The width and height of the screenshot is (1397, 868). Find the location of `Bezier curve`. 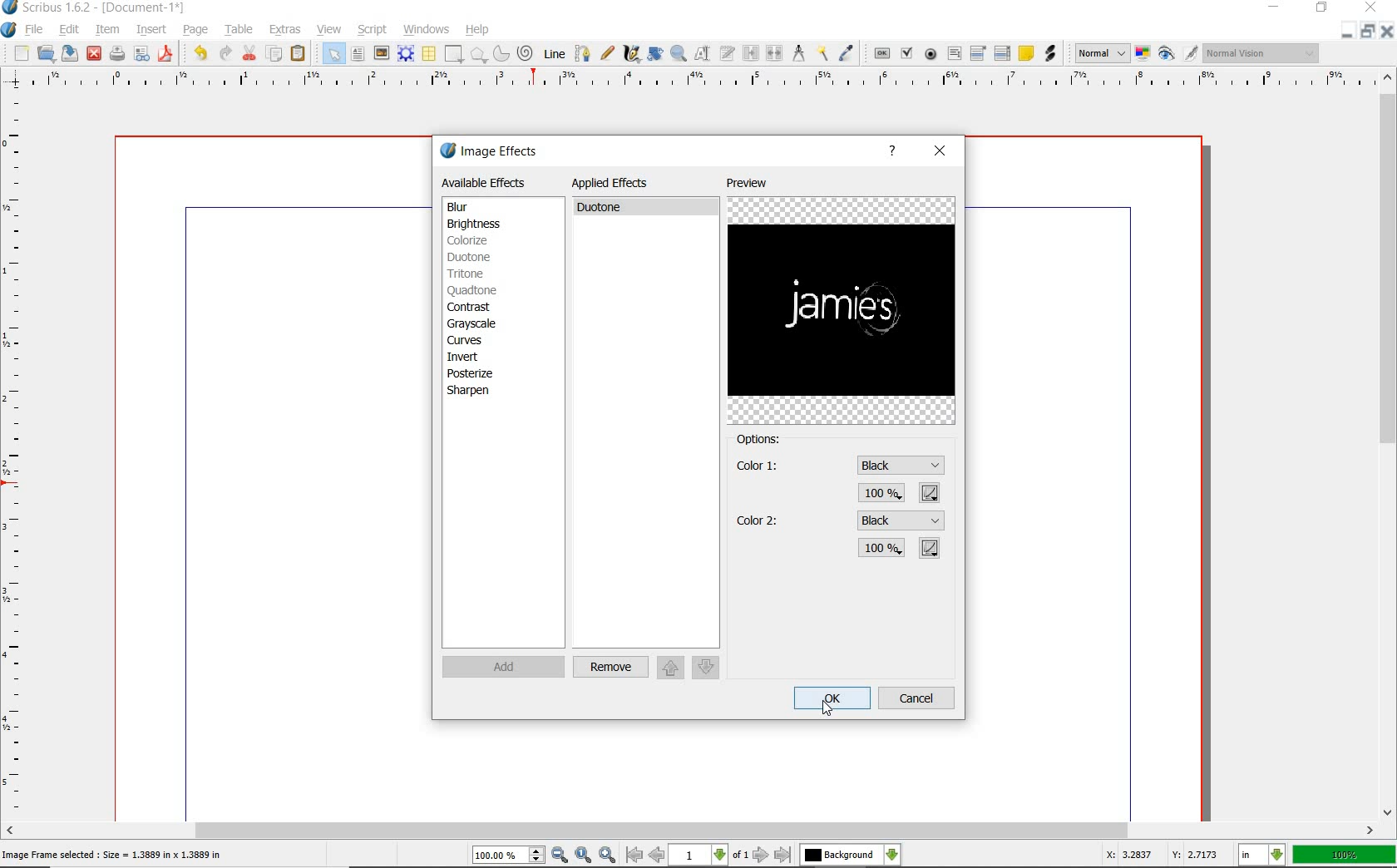

Bezier curve is located at coordinates (583, 54).